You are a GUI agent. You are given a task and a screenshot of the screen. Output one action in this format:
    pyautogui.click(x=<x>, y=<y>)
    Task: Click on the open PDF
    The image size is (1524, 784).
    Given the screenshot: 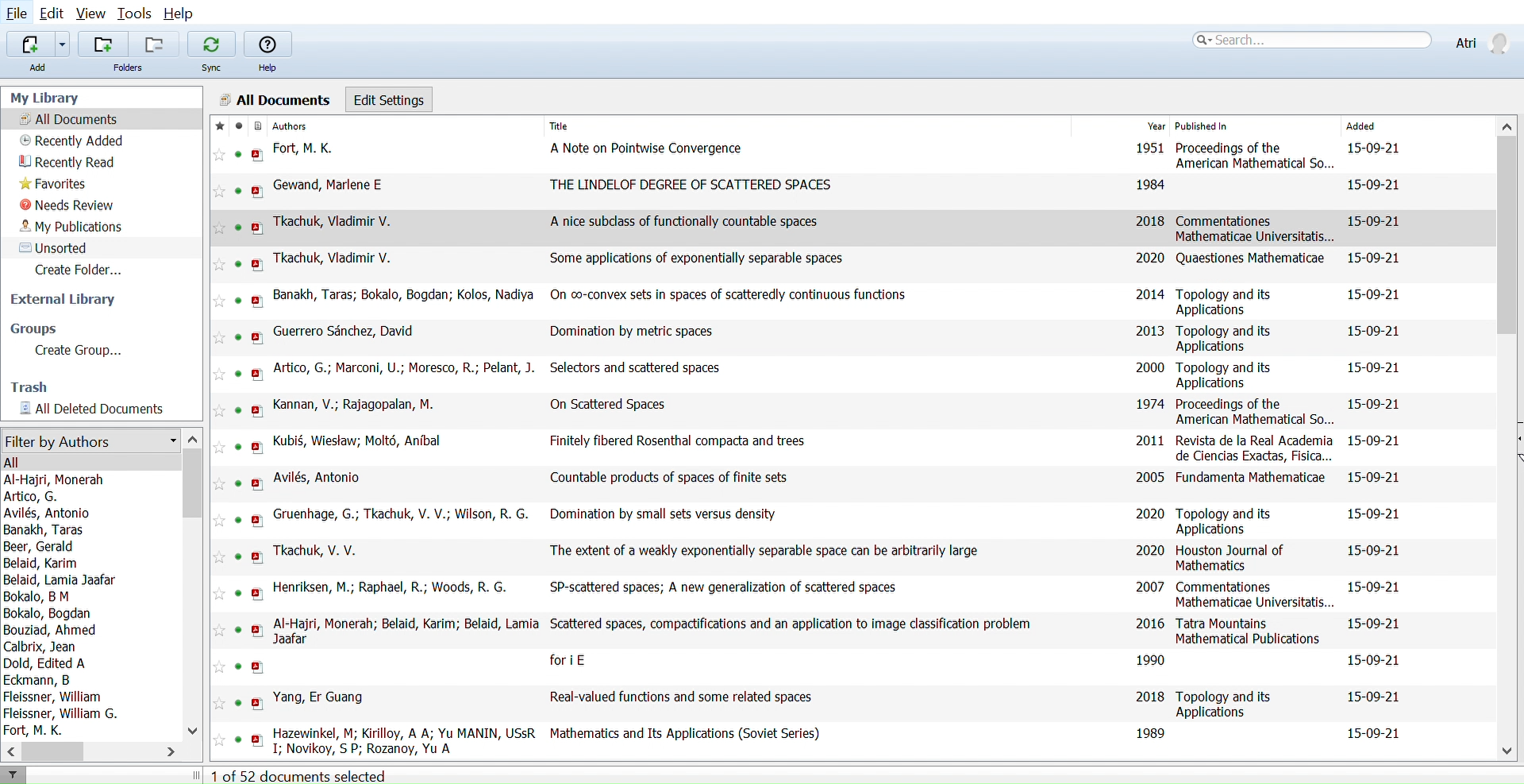 What is the action you would take?
    pyautogui.click(x=256, y=229)
    